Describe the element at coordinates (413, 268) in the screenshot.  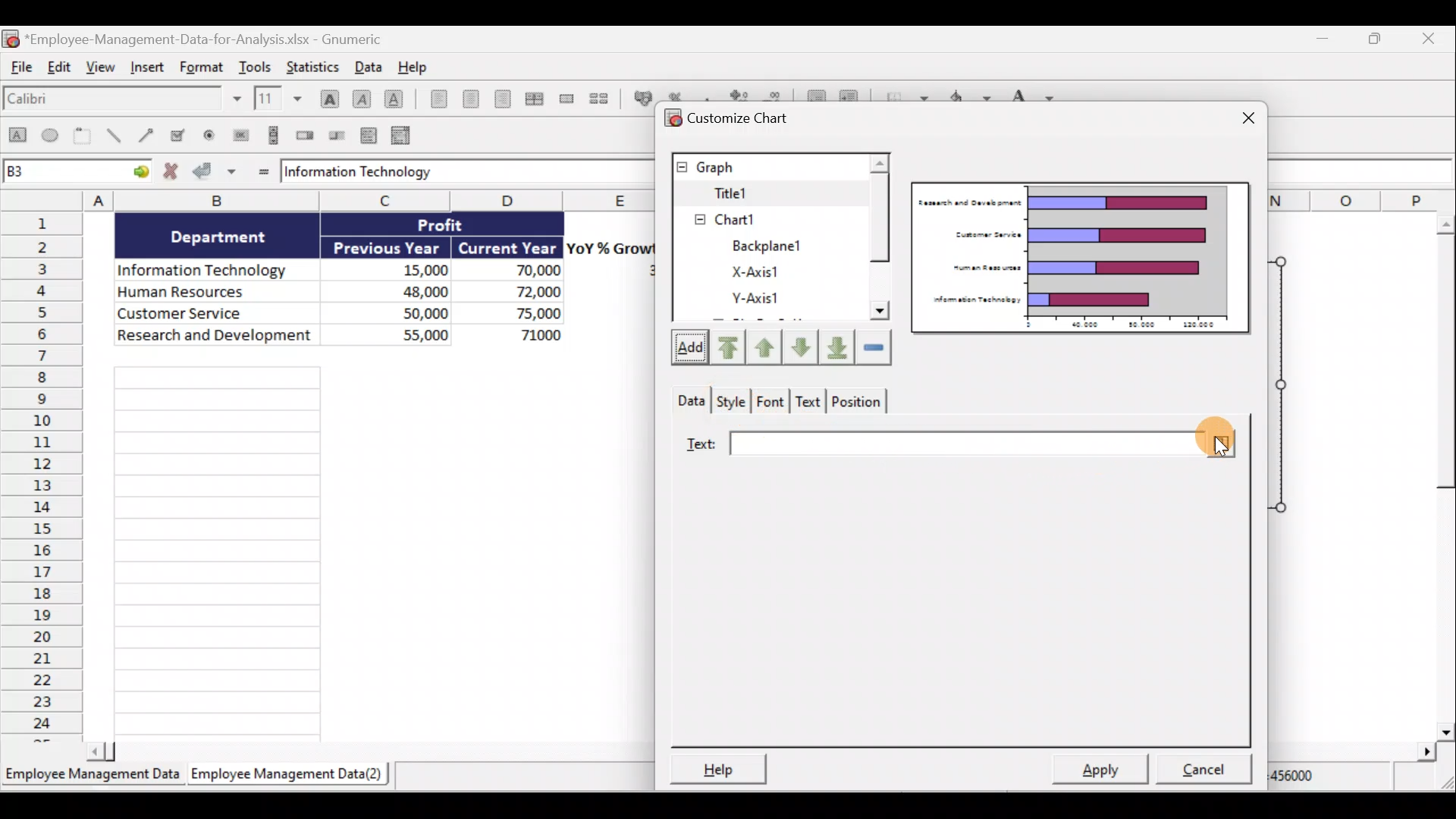
I see `15,000` at that location.